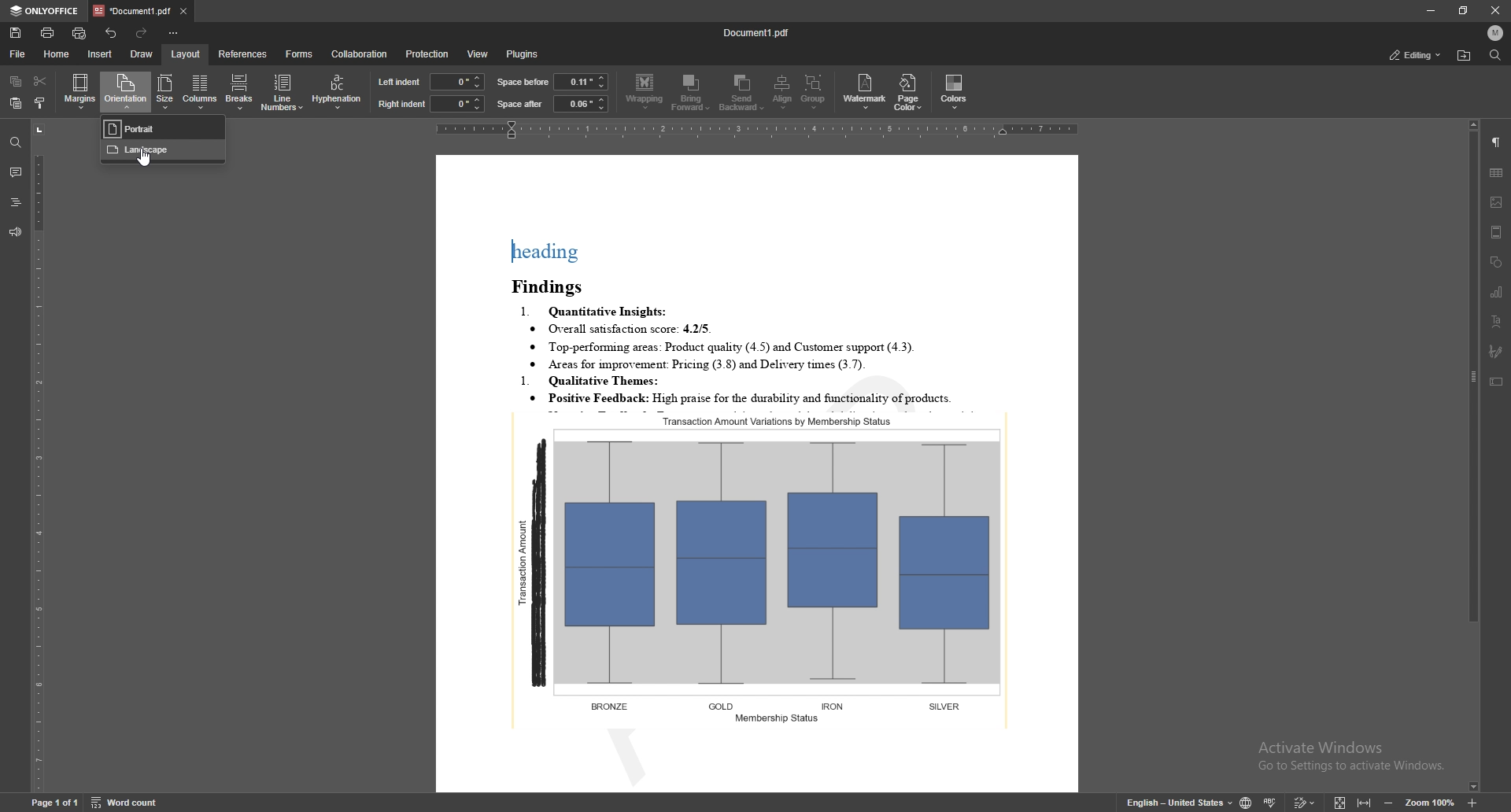  What do you see at coordinates (1365, 800) in the screenshot?
I see `fit width` at bounding box center [1365, 800].